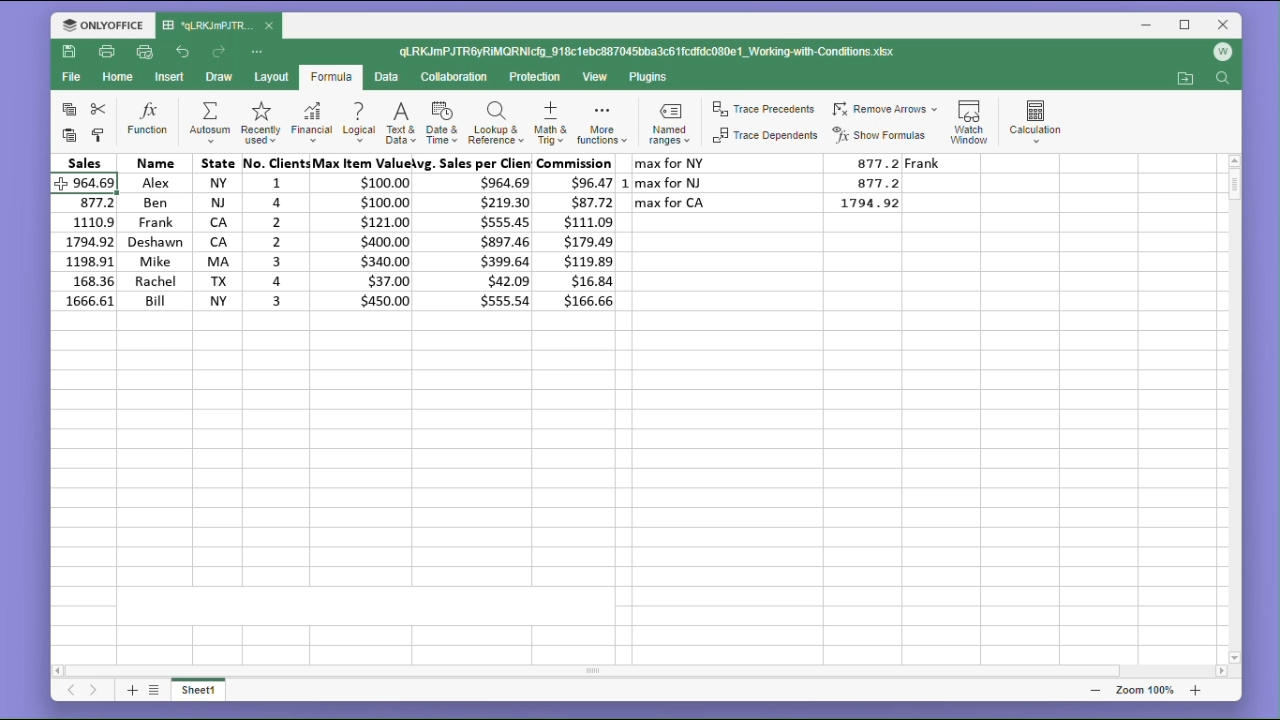 This screenshot has height=720, width=1280. What do you see at coordinates (358, 124) in the screenshot?
I see `logical` at bounding box center [358, 124].